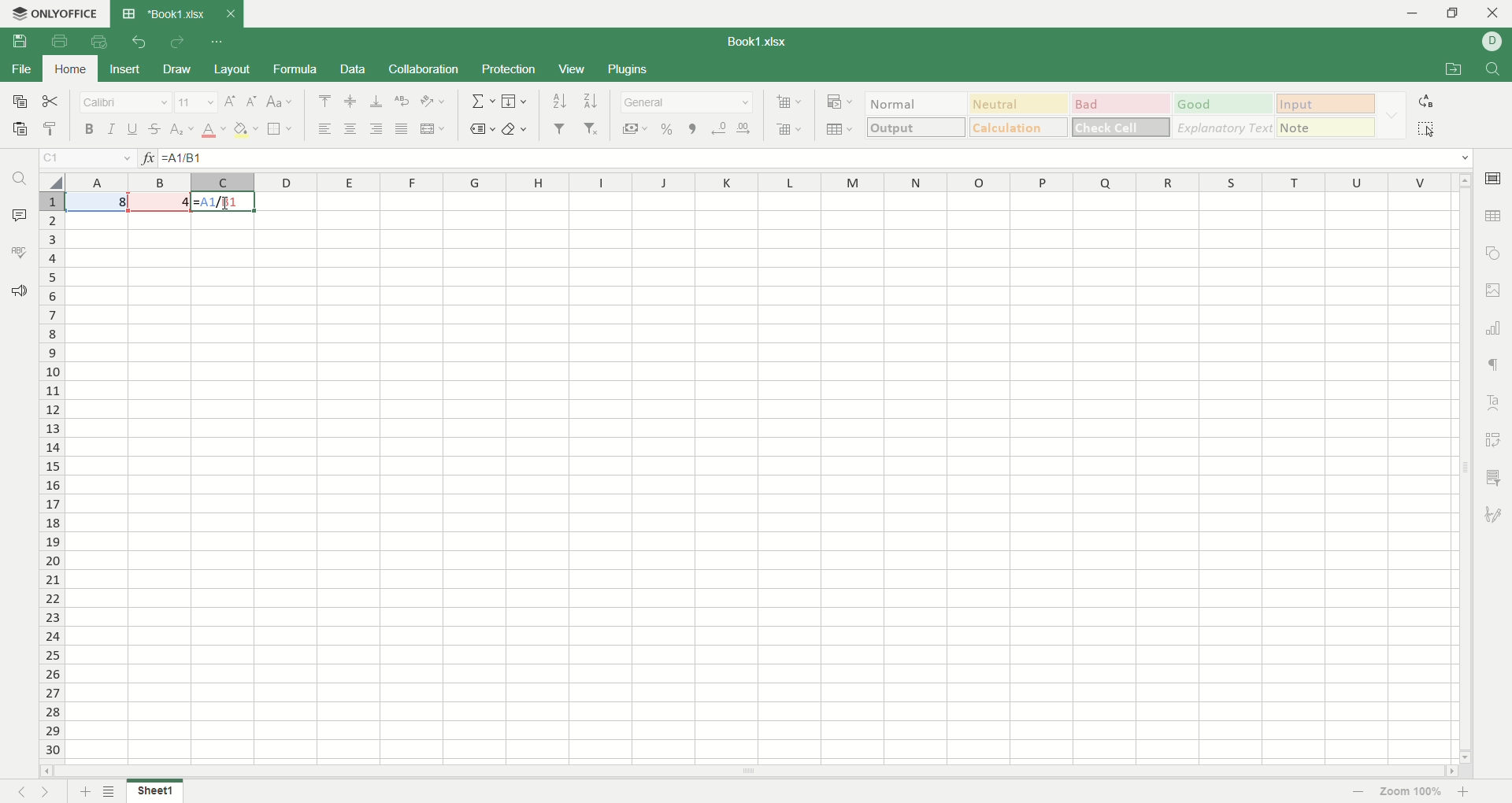  Describe the element at coordinates (592, 101) in the screenshot. I see `sort descending` at that location.